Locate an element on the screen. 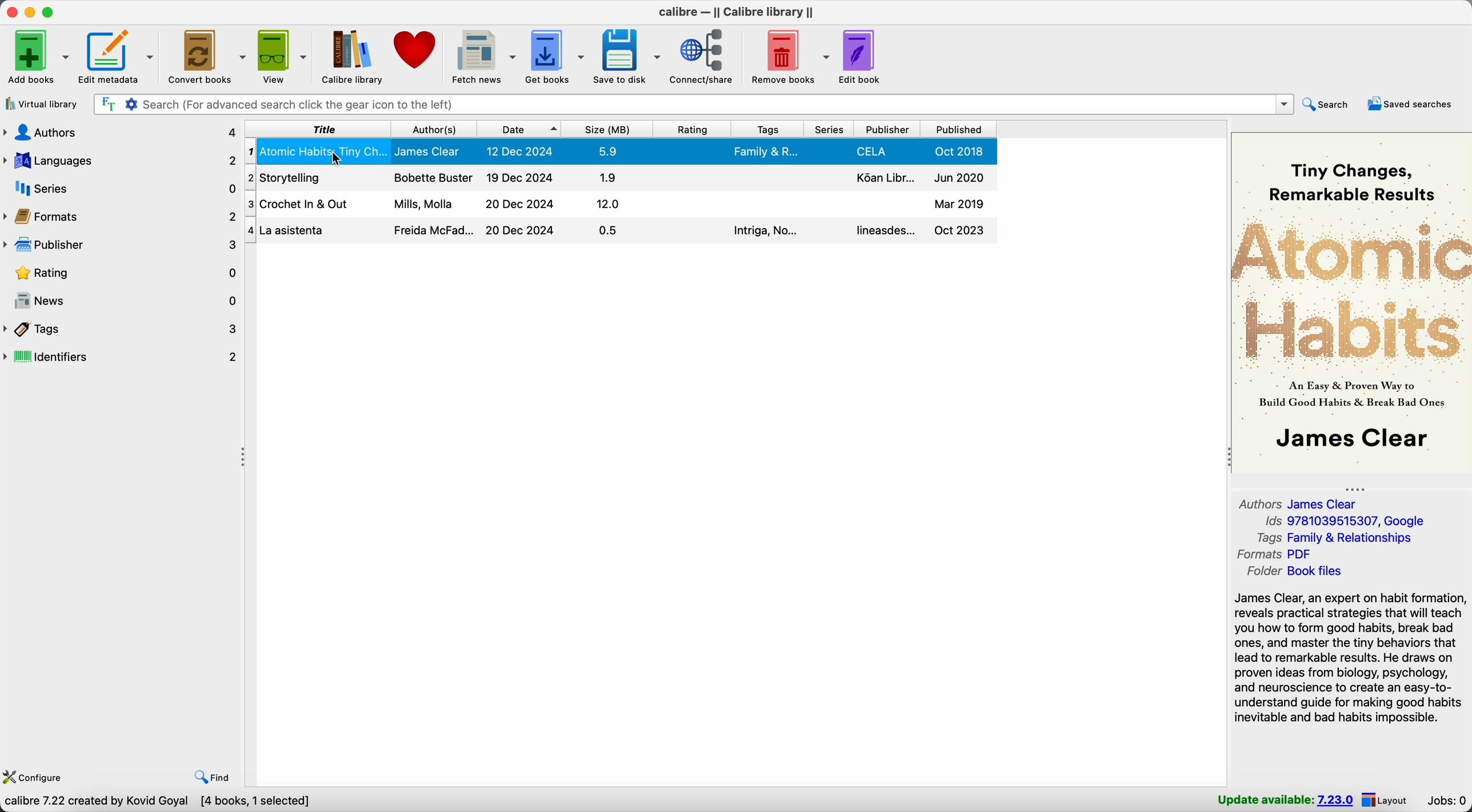 Image resolution: width=1472 pixels, height=812 pixels. storytelling book details is located at coordinates (619, 177).